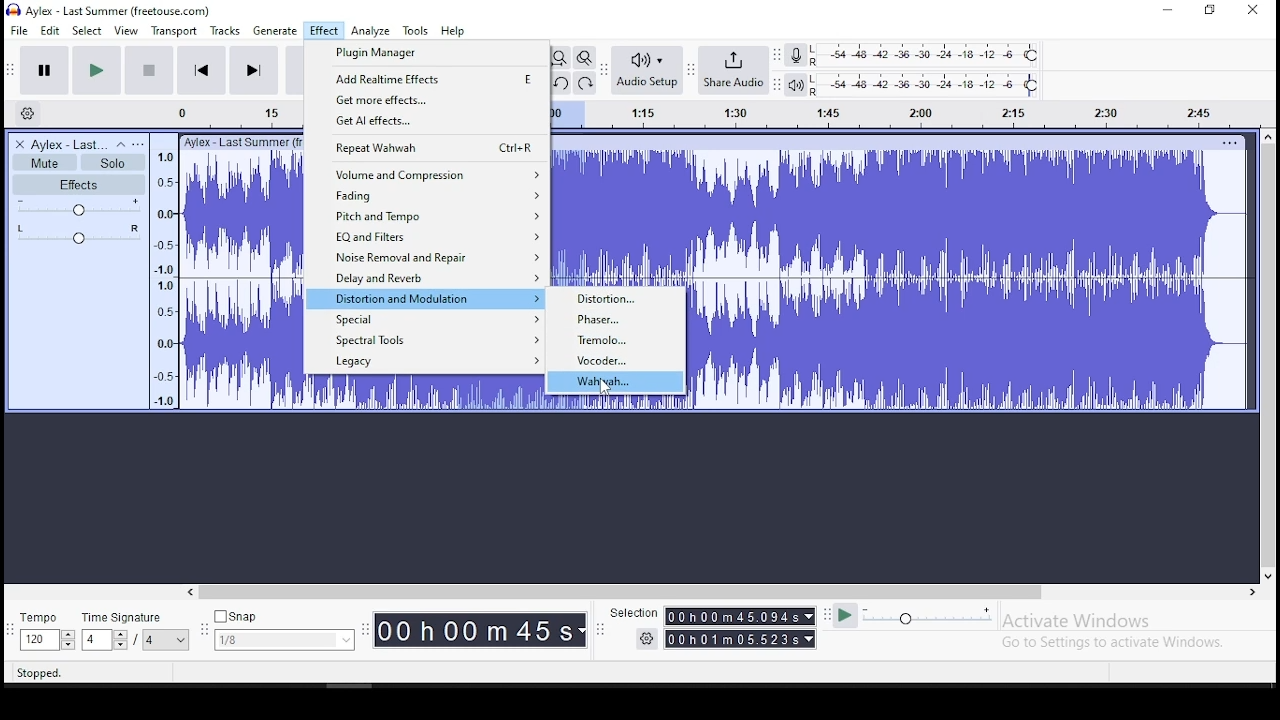  I want to click on recording level, so click(932, 54).